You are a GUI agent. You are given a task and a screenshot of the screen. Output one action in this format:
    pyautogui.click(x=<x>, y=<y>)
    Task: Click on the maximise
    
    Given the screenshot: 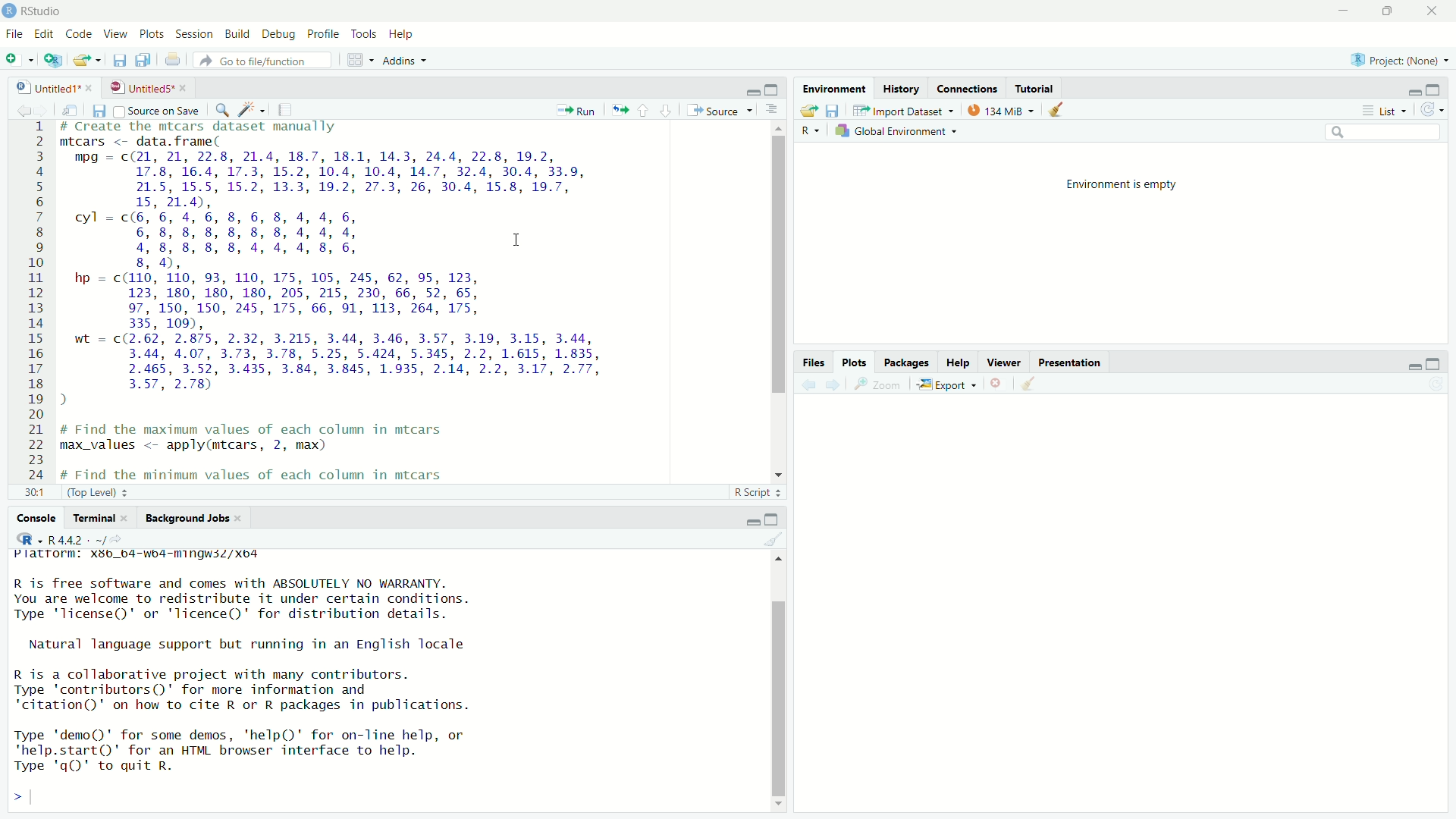 What is the action you would take?
    pyautogui.click(x=772, y=517)
    